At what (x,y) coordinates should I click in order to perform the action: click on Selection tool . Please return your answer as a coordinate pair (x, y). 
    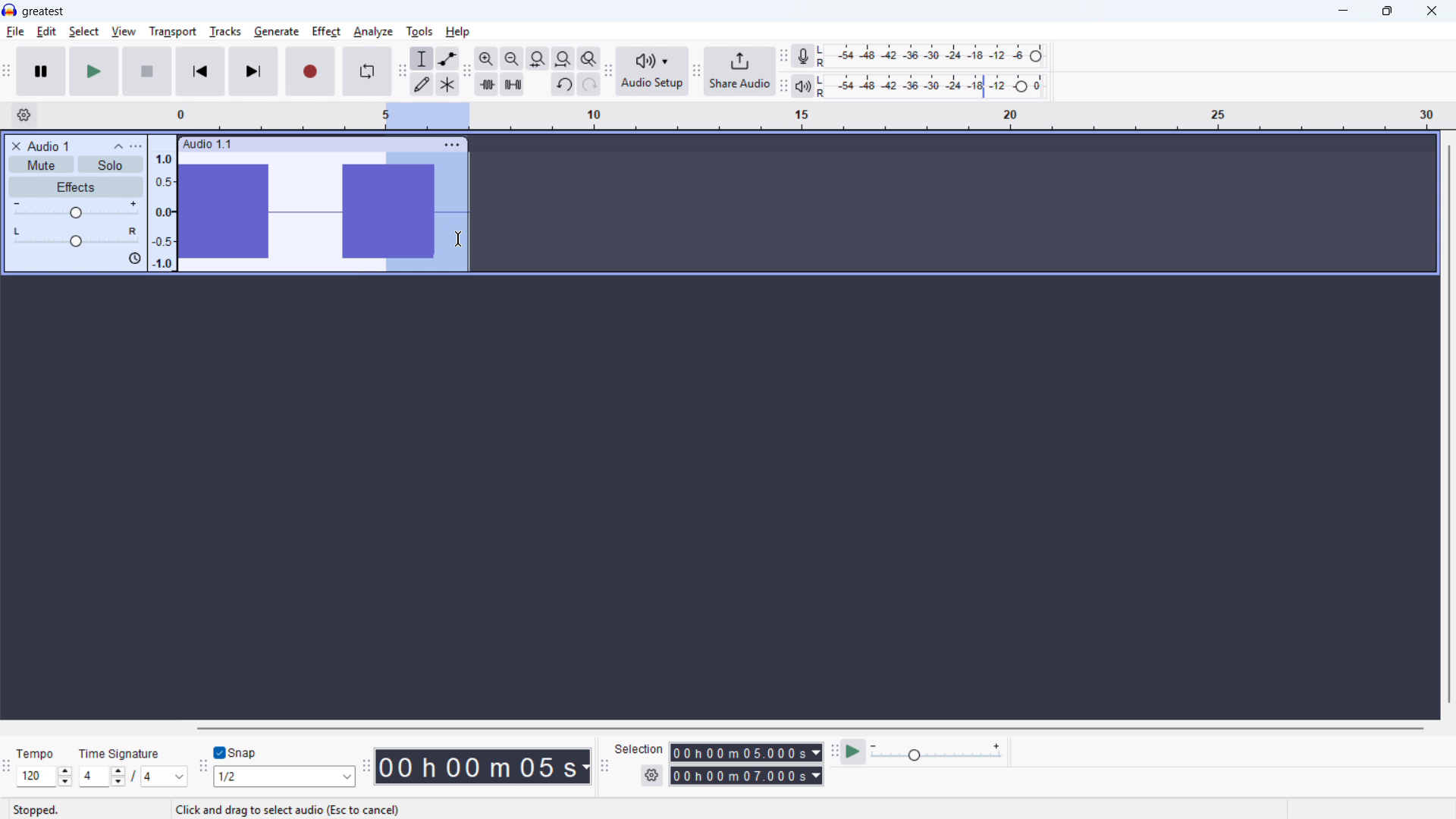
    Looking at the image, I should click on (422, 58).